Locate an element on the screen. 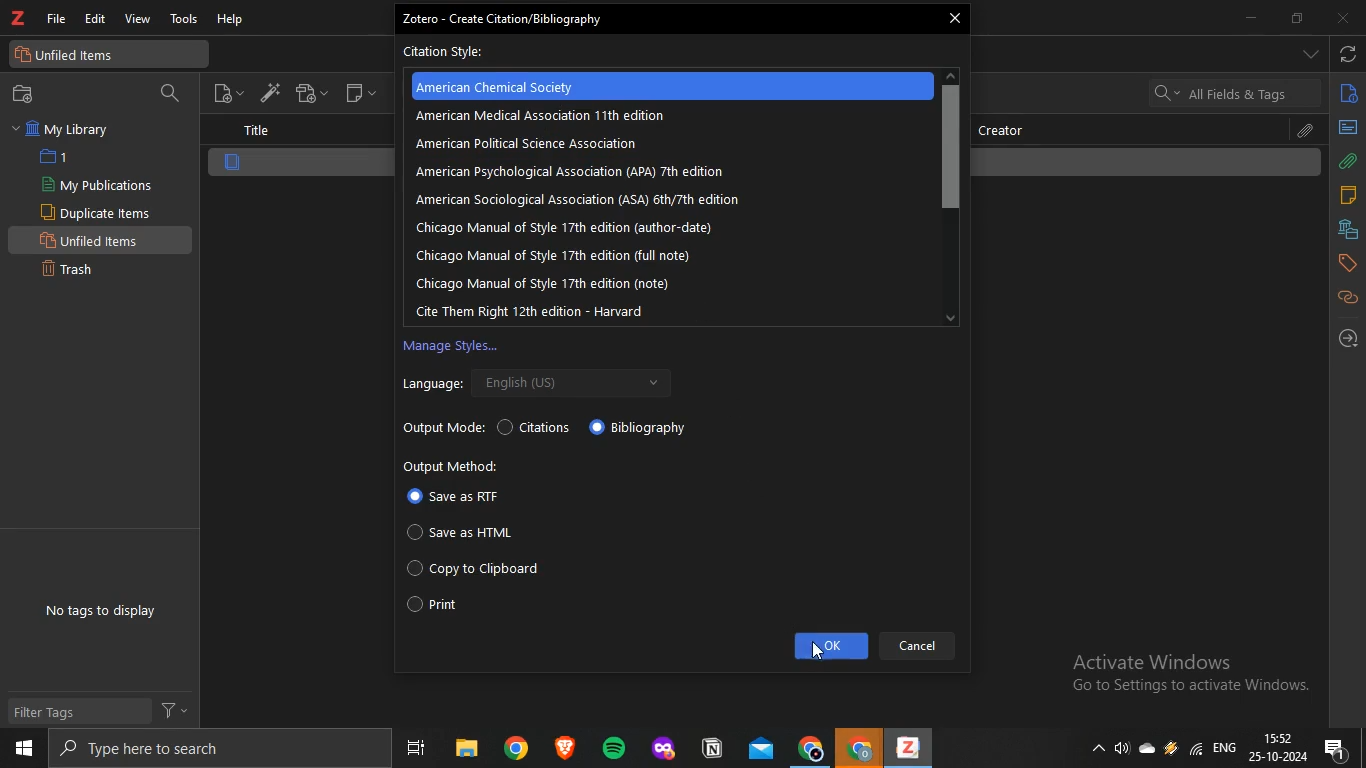 The height and width of the screenshot is (768, 1366). notes is located at coordinates (1348, 195).